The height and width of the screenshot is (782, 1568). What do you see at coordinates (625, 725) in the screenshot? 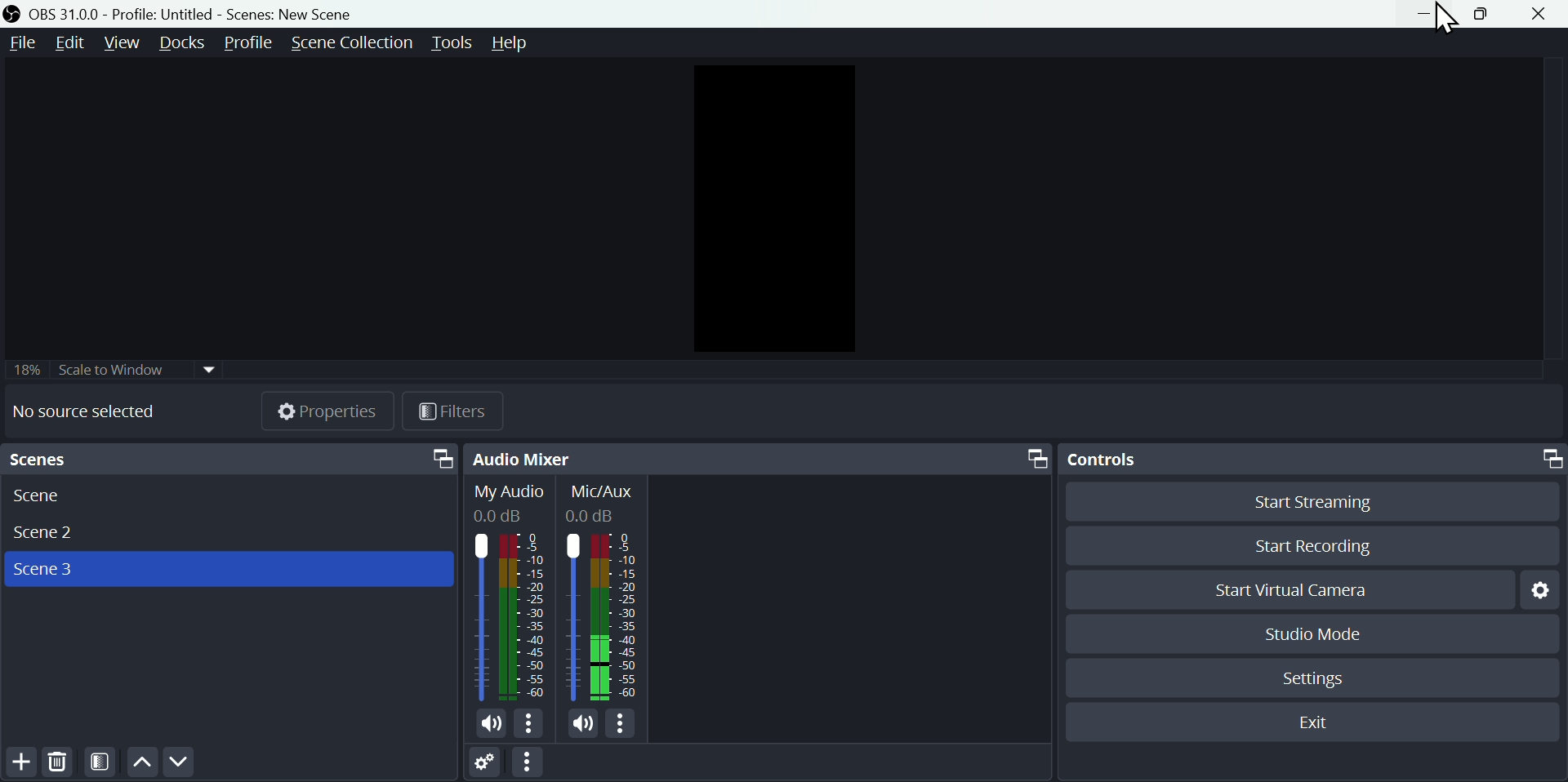
I see `More options` at bounding box center [625, 725].